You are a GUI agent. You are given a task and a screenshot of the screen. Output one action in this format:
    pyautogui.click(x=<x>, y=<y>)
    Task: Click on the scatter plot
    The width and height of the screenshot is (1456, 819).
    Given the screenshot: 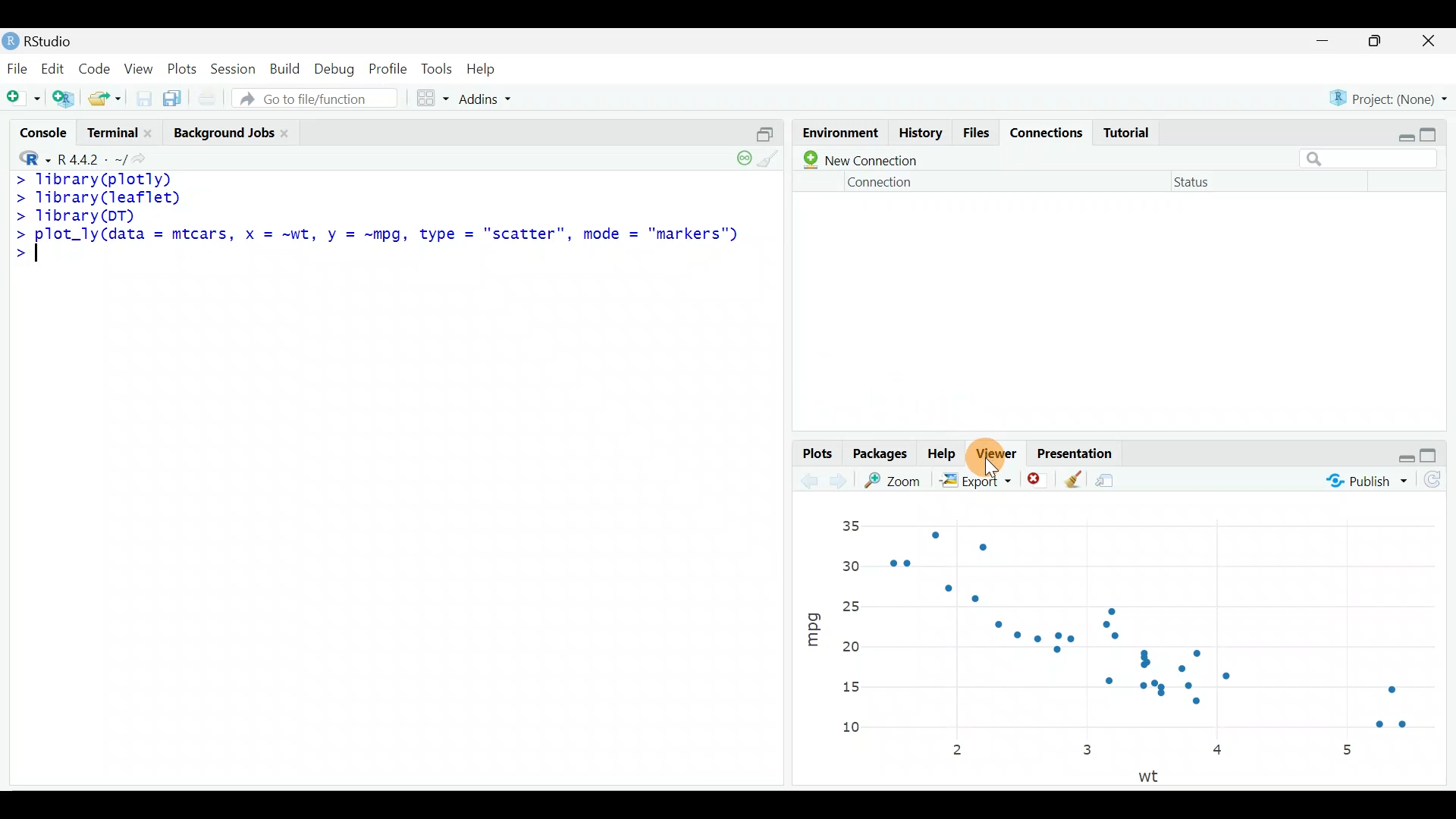 What is the action you would take?
    pyautogui.click(x=1166, y=625)
    